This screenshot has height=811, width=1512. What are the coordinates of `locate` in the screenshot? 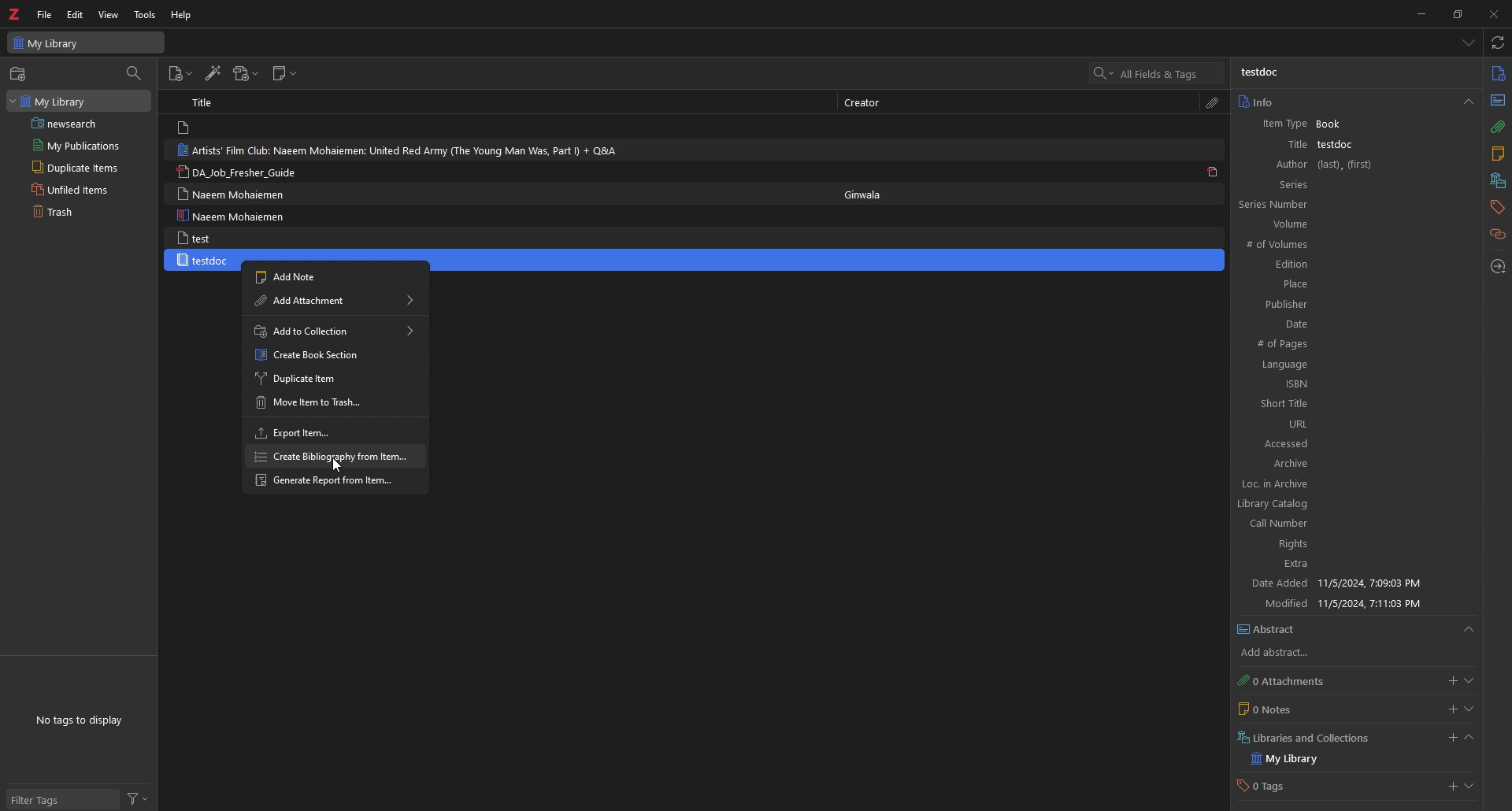 It's located at (1499, 268).